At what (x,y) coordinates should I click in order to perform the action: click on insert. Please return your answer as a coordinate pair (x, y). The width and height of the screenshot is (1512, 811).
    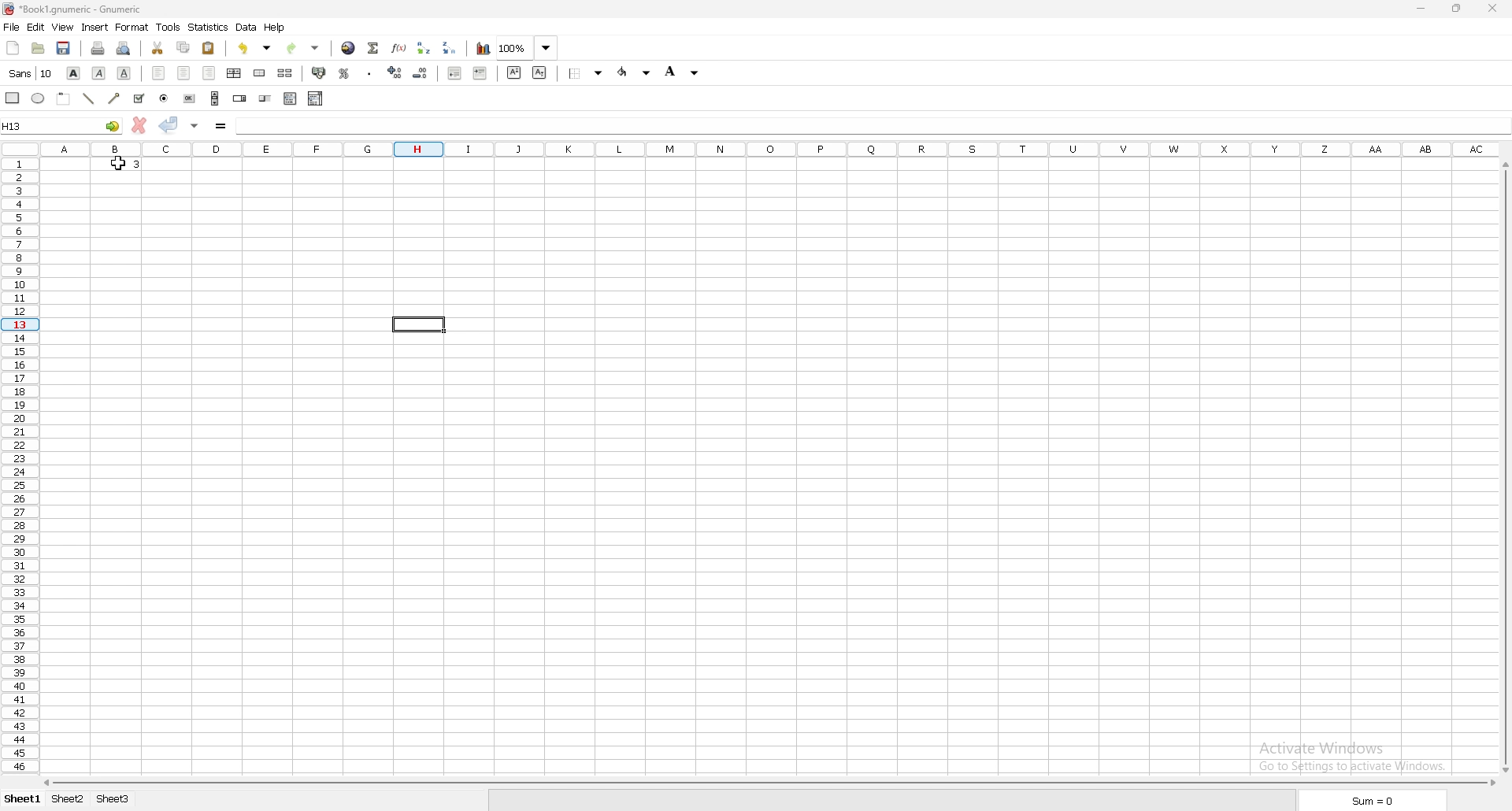
    Looking at the image, I should click on (95, 28).